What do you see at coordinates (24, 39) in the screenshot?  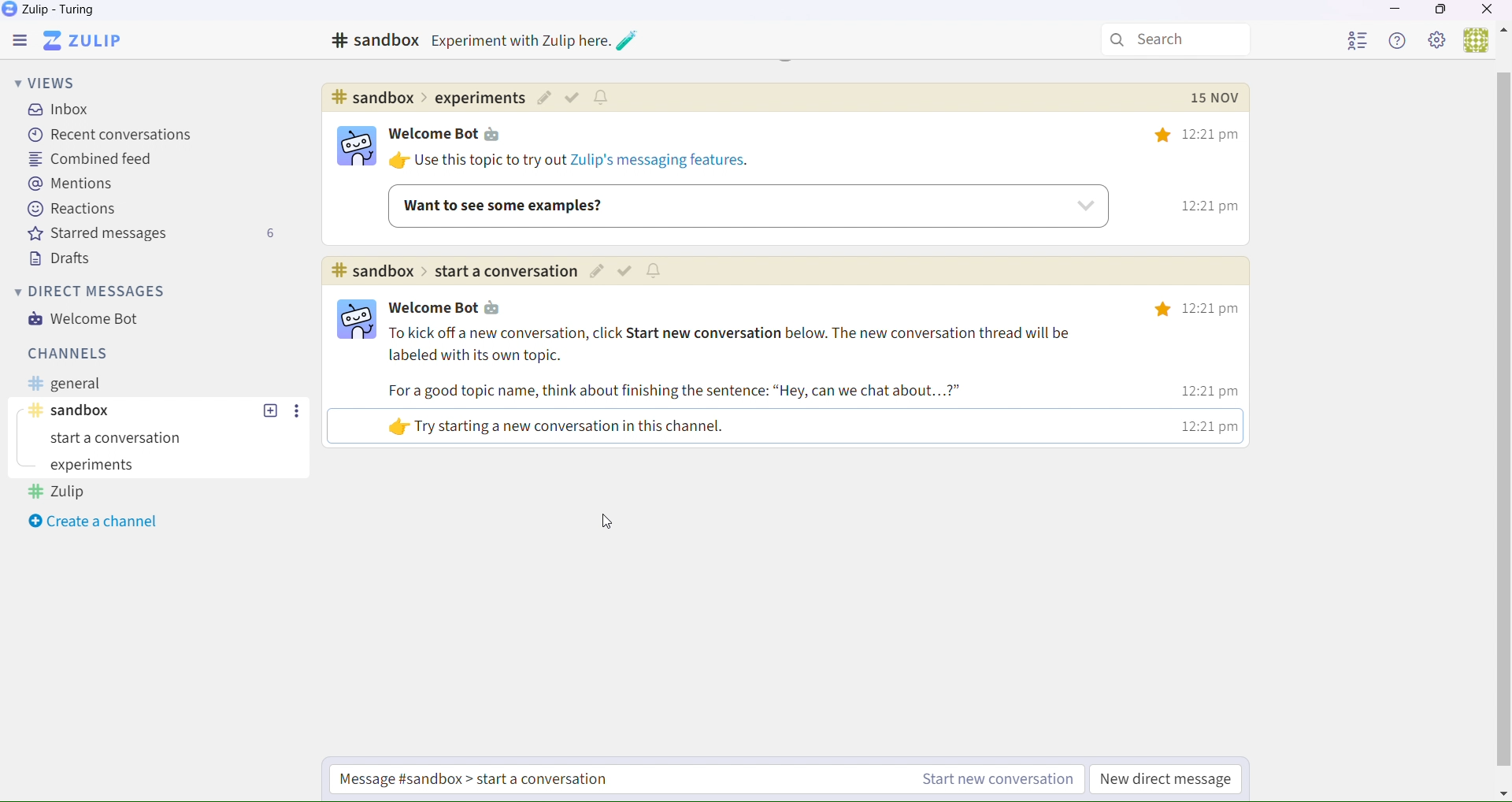 I see `Menu` at bounding box center [24, 39].